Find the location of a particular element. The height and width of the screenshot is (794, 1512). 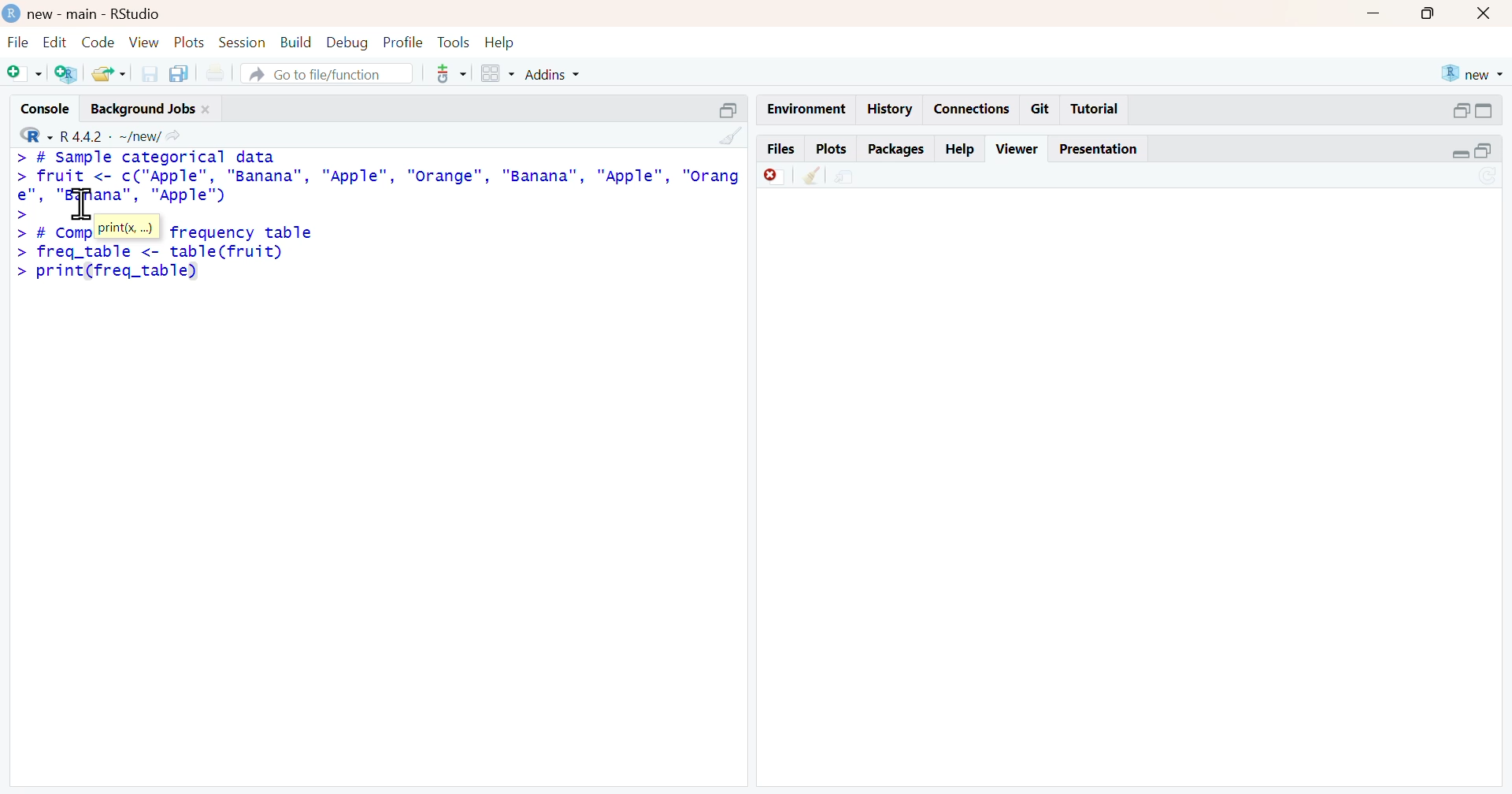

workspace panes is located at coordinates (498, 74).